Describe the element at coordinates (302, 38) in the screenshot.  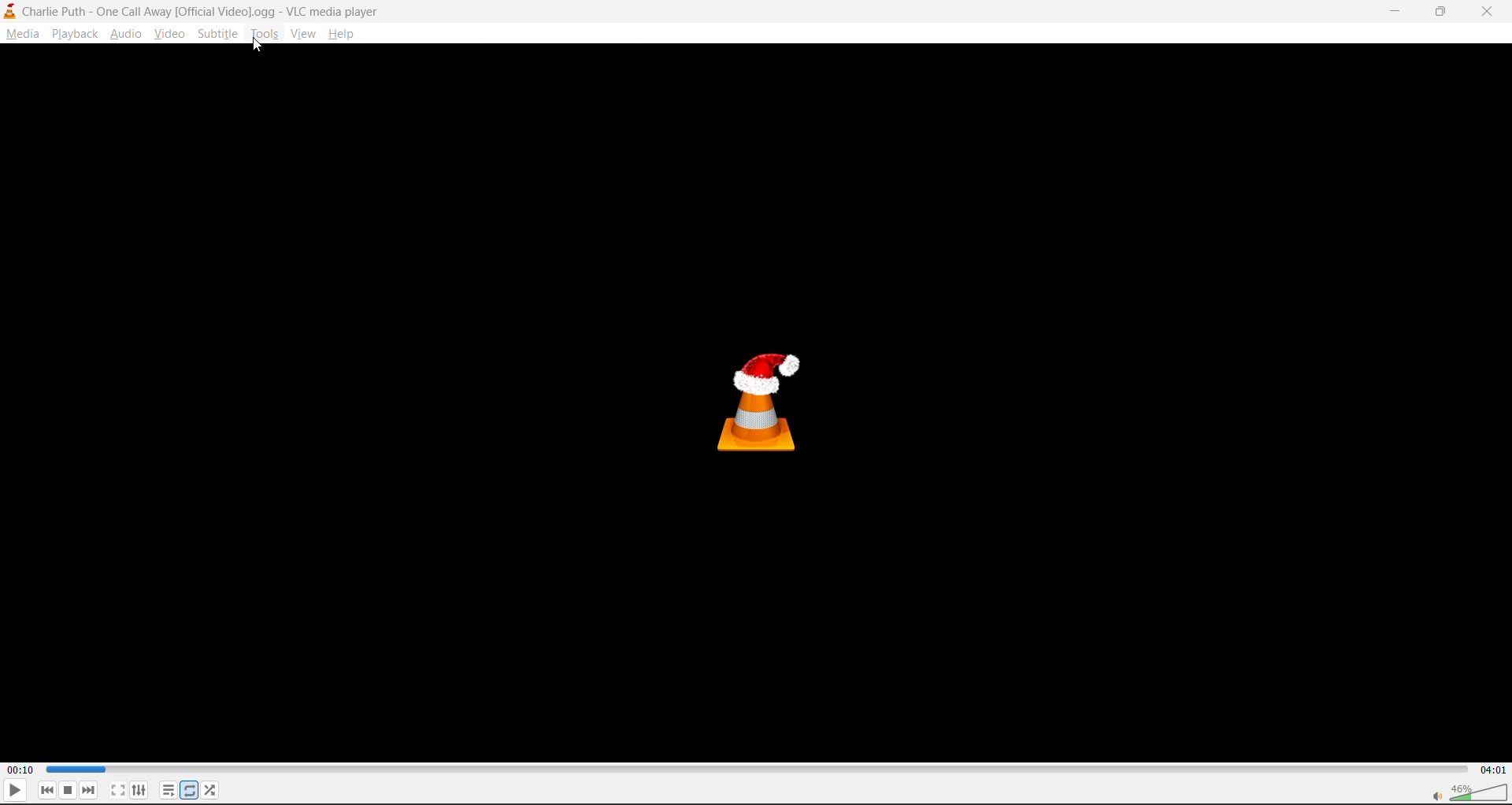
I see `view` at that location.